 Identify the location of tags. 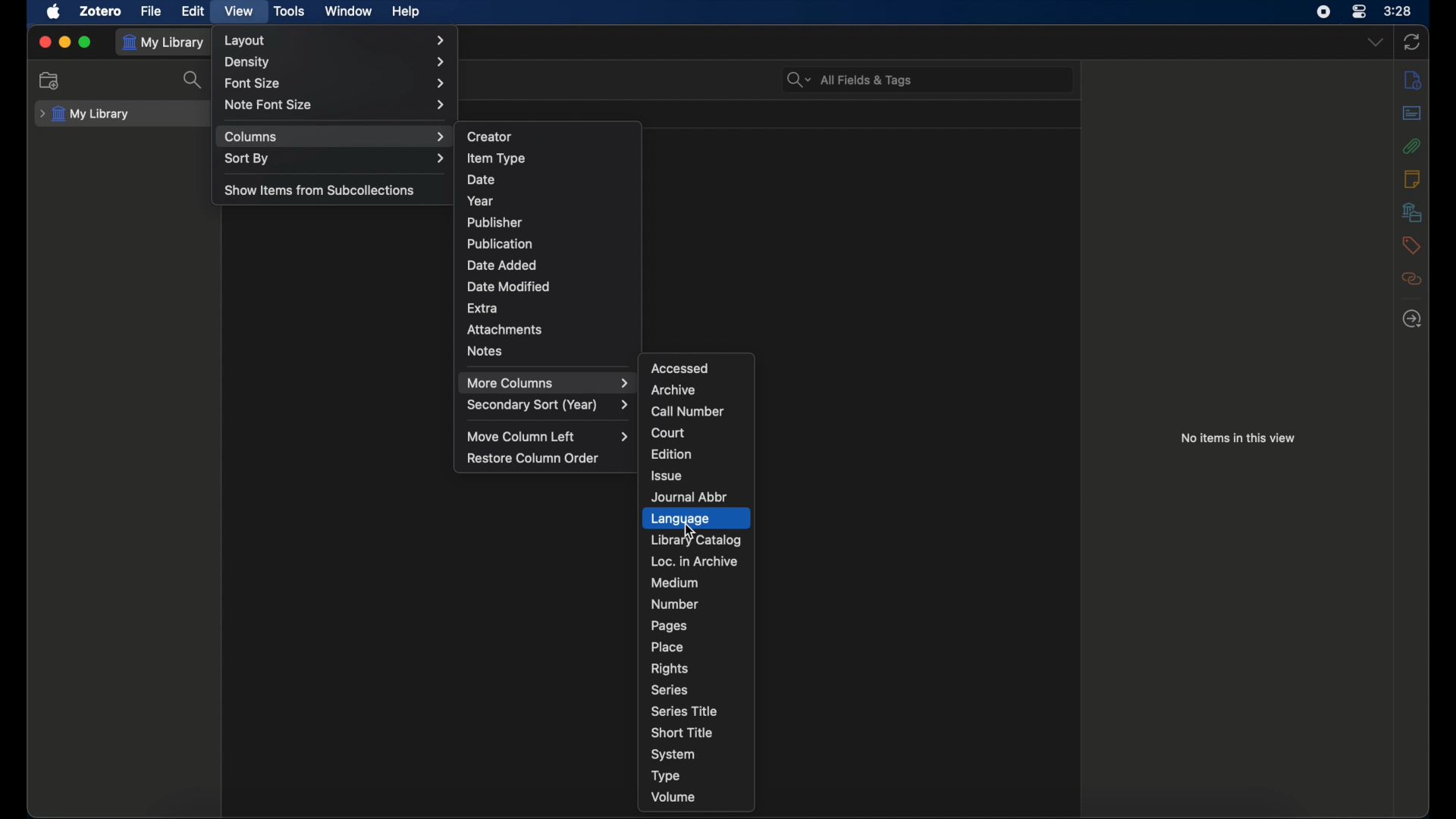
(1410, 245).